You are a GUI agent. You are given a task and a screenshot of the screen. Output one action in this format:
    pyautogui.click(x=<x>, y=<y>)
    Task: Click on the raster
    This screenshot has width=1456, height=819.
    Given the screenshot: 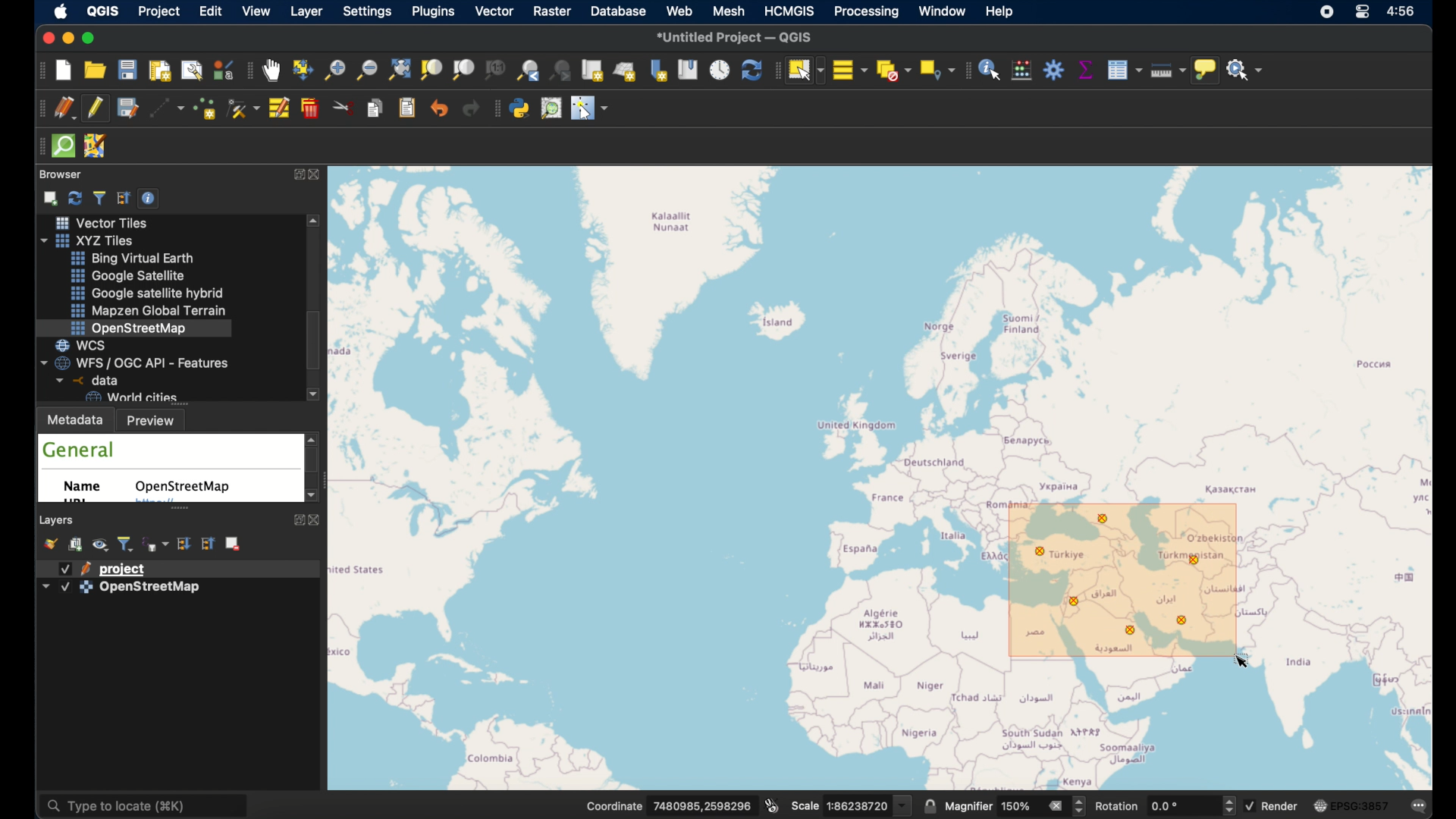 What is the action you would take?
    pyautogui.click(x=553, y=11)
    